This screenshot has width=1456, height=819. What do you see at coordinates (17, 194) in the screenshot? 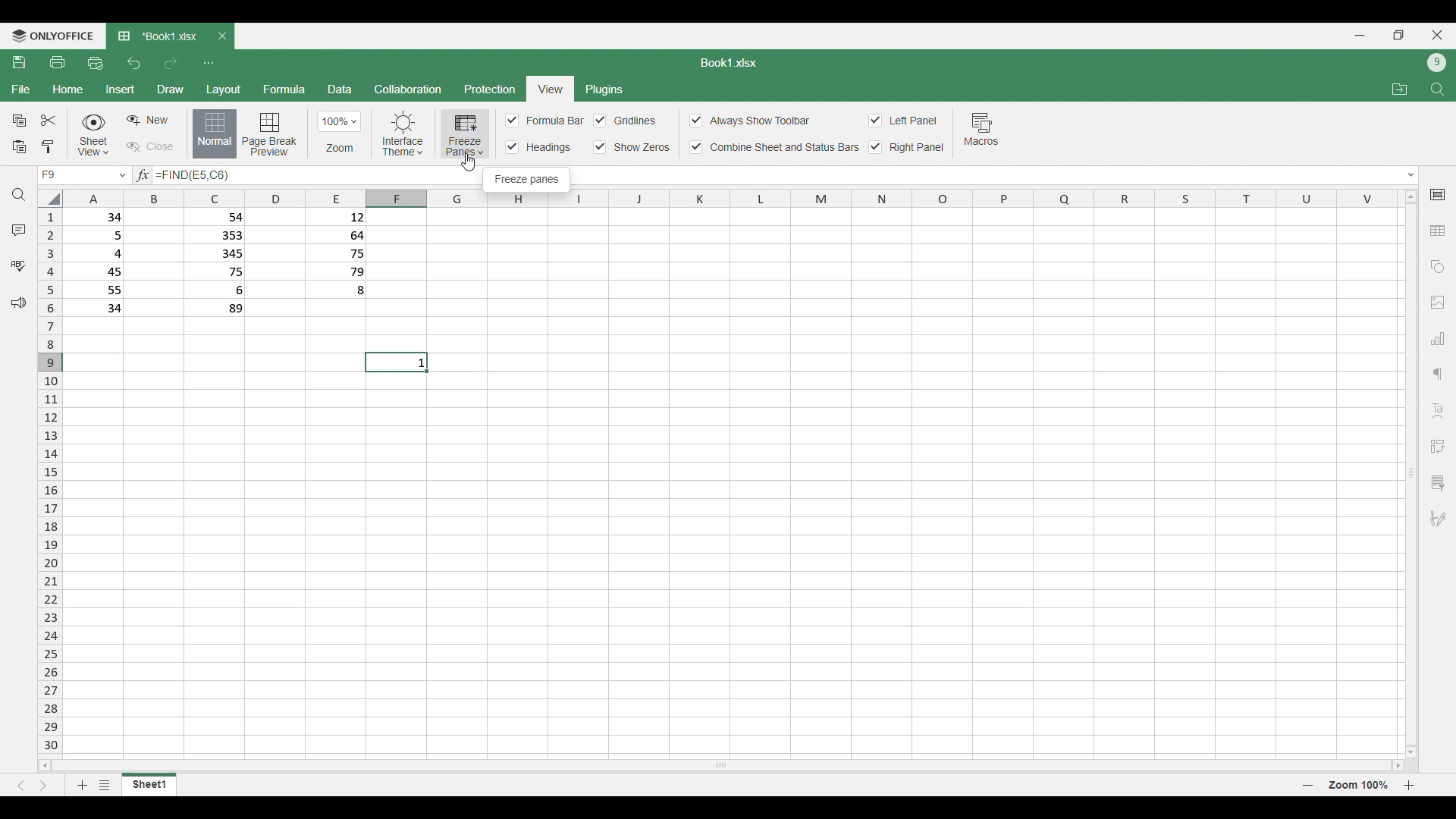
I see `Find` at bounding box center [17, 194].